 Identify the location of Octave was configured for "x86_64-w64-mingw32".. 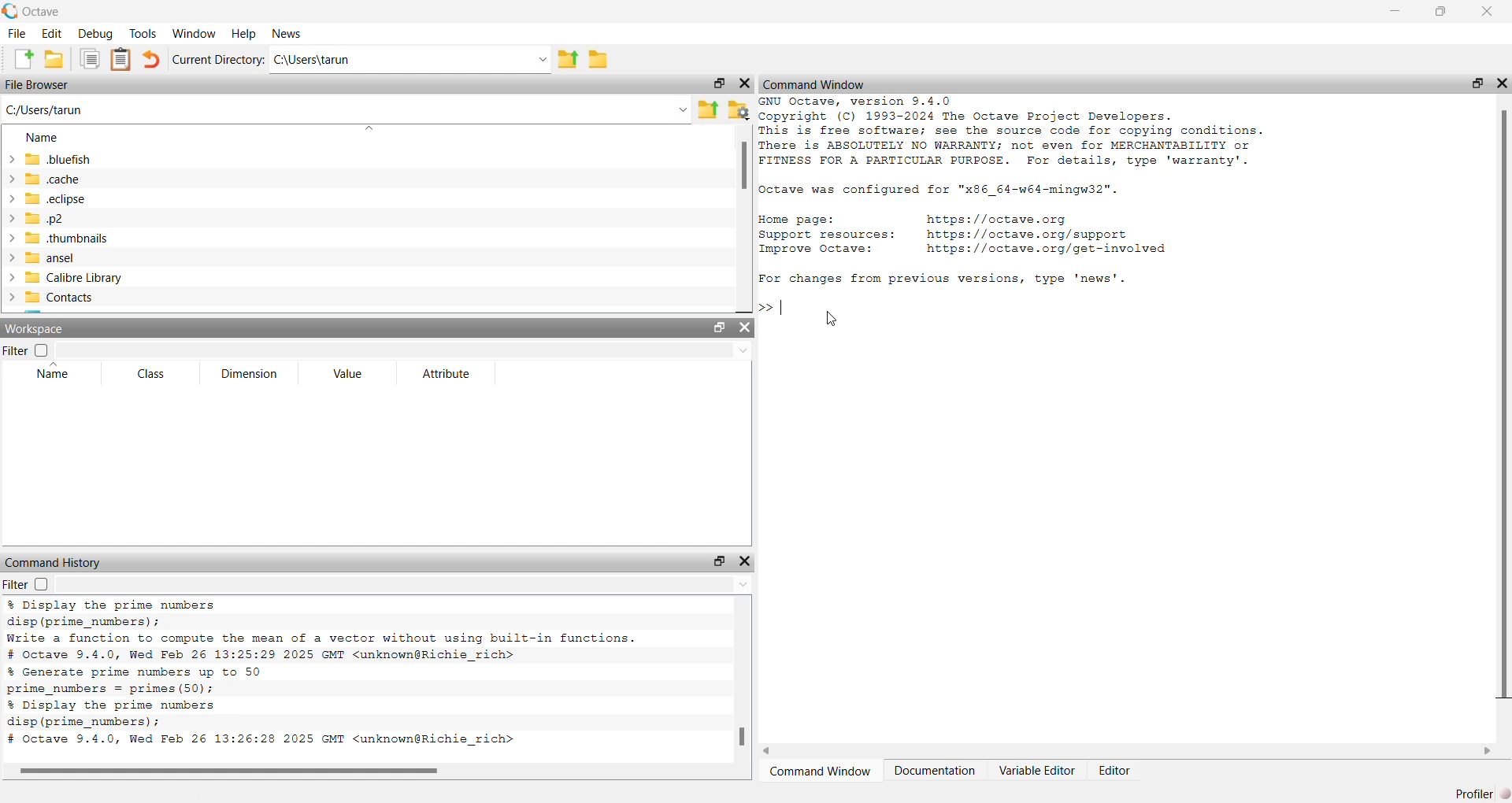
(943, 191).